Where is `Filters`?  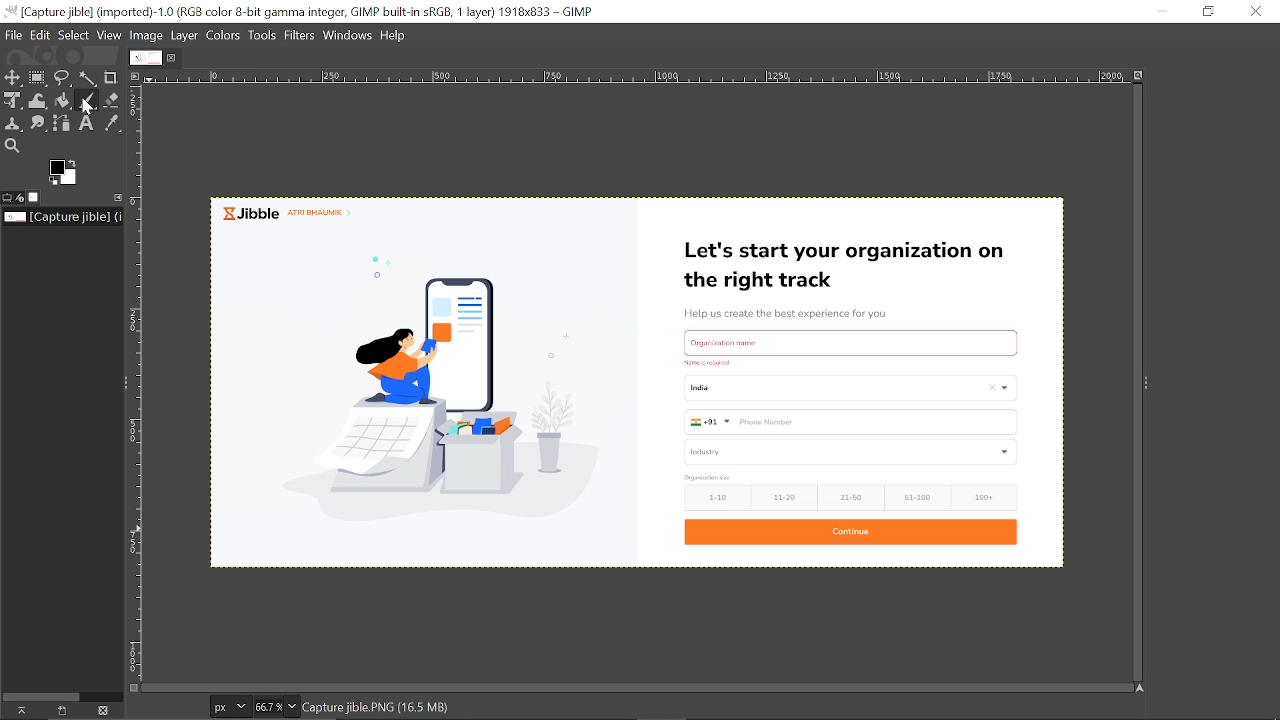
Filters is located at coordinates (301, 37).